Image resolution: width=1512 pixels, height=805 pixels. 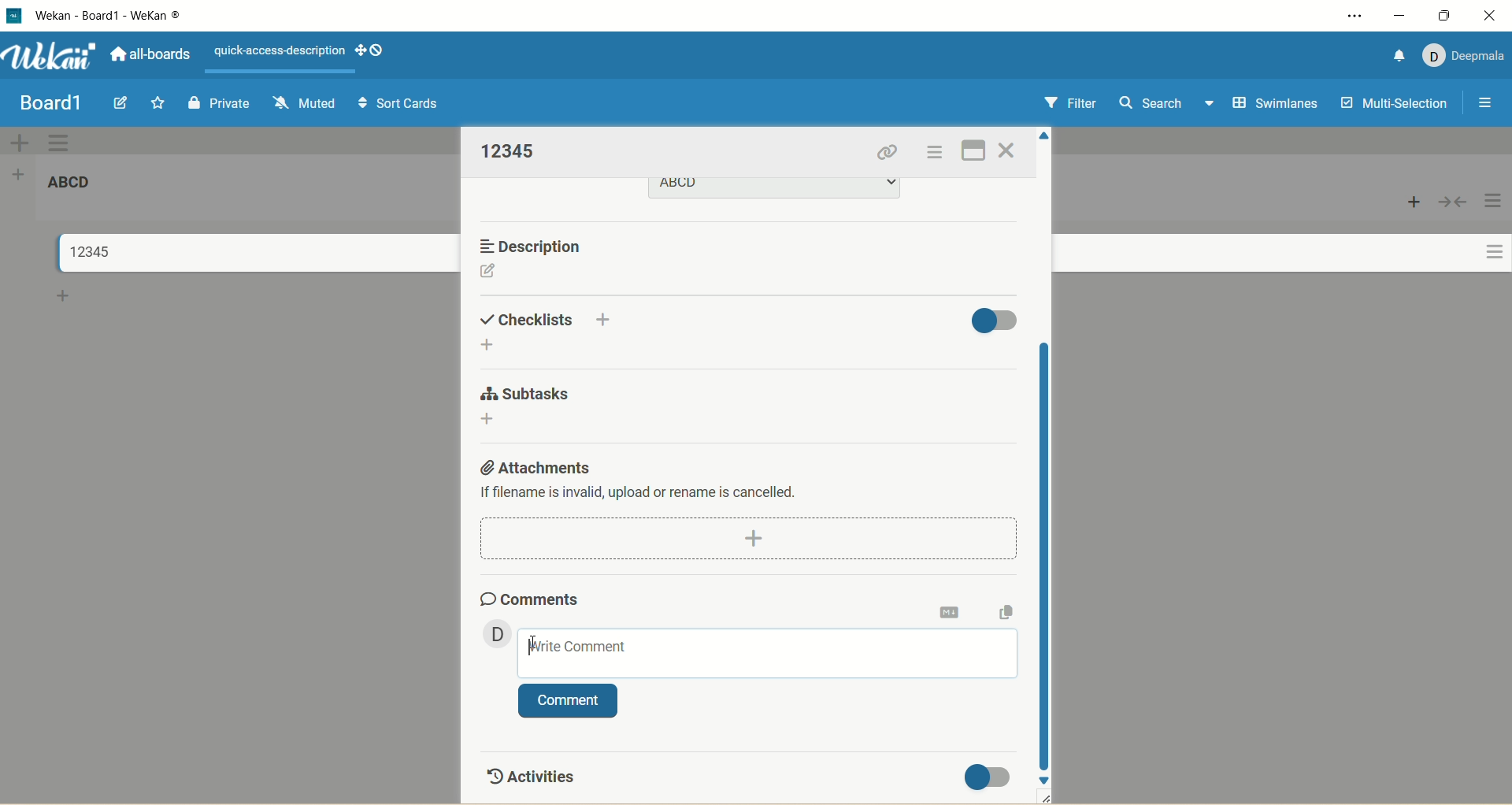 I want to click on favorite, so click(x=154, y=106).